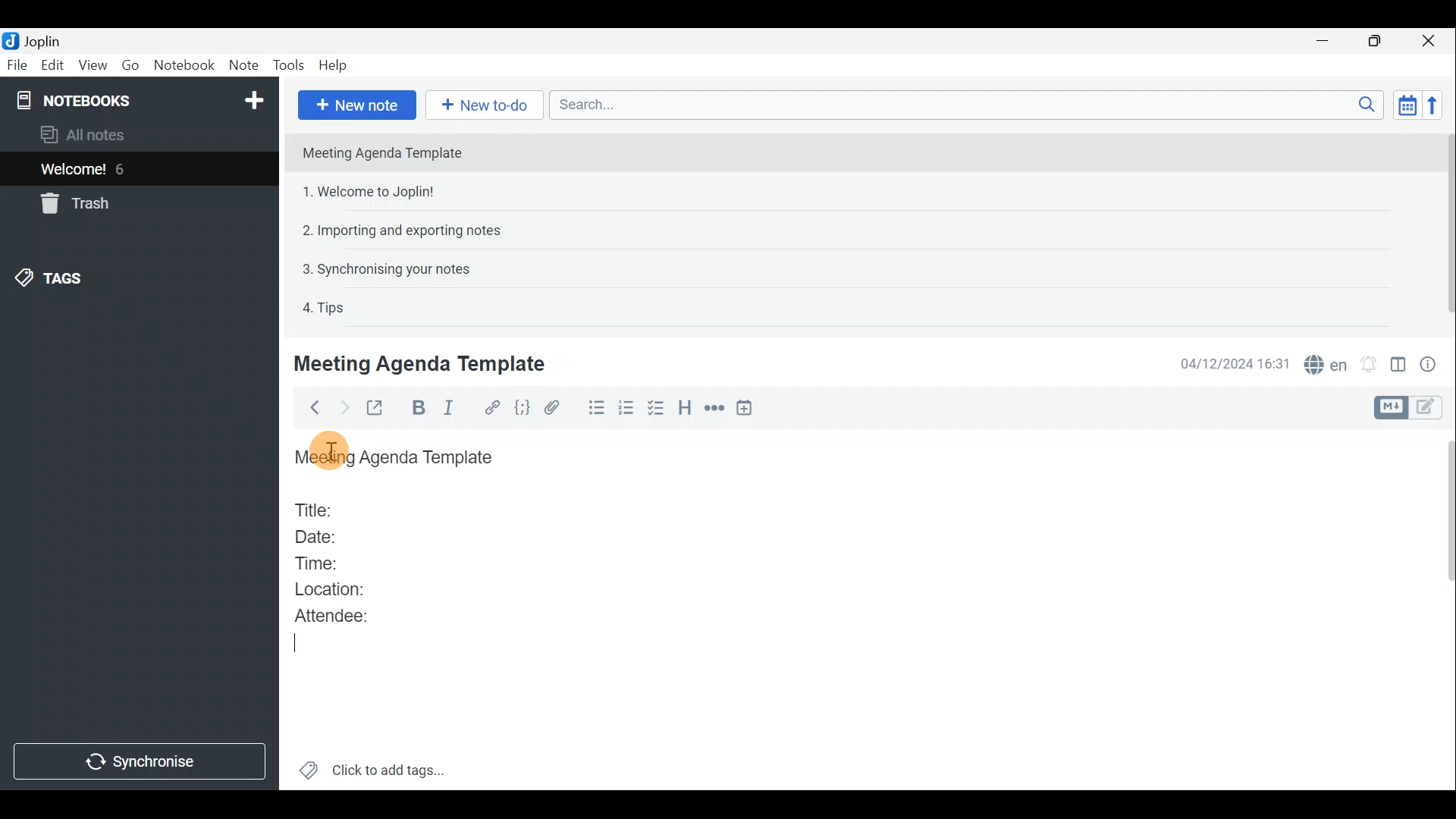 This screenshot has height=819, width=1456. What do you see at coordinates (1435, 105) in the screenshot?
I see `Reverse sort order` at bounding box center [1435, 105].